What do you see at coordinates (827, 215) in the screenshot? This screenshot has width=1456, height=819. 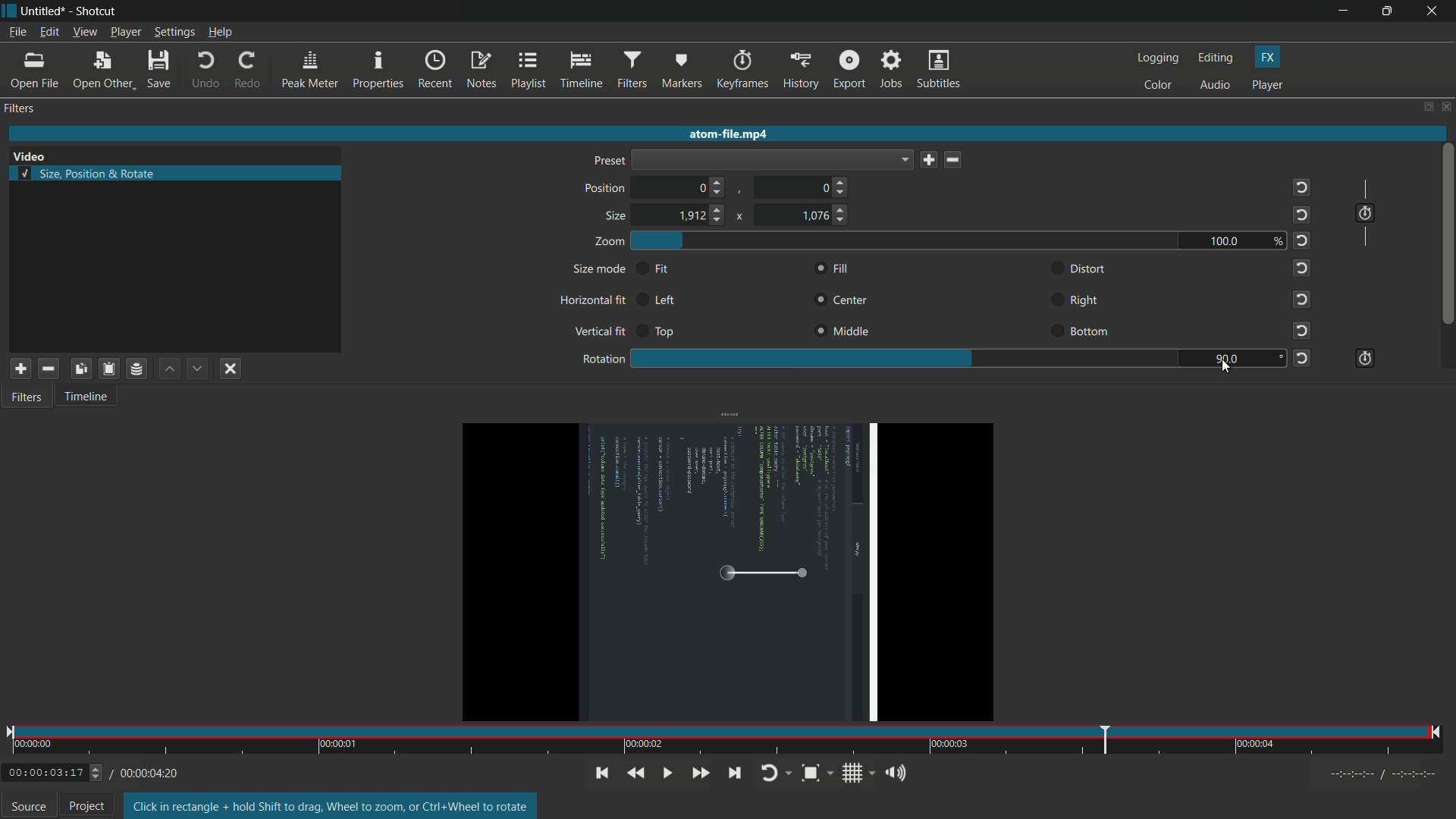 I see `1076 (choose size)` at bounding box center [827, 215].